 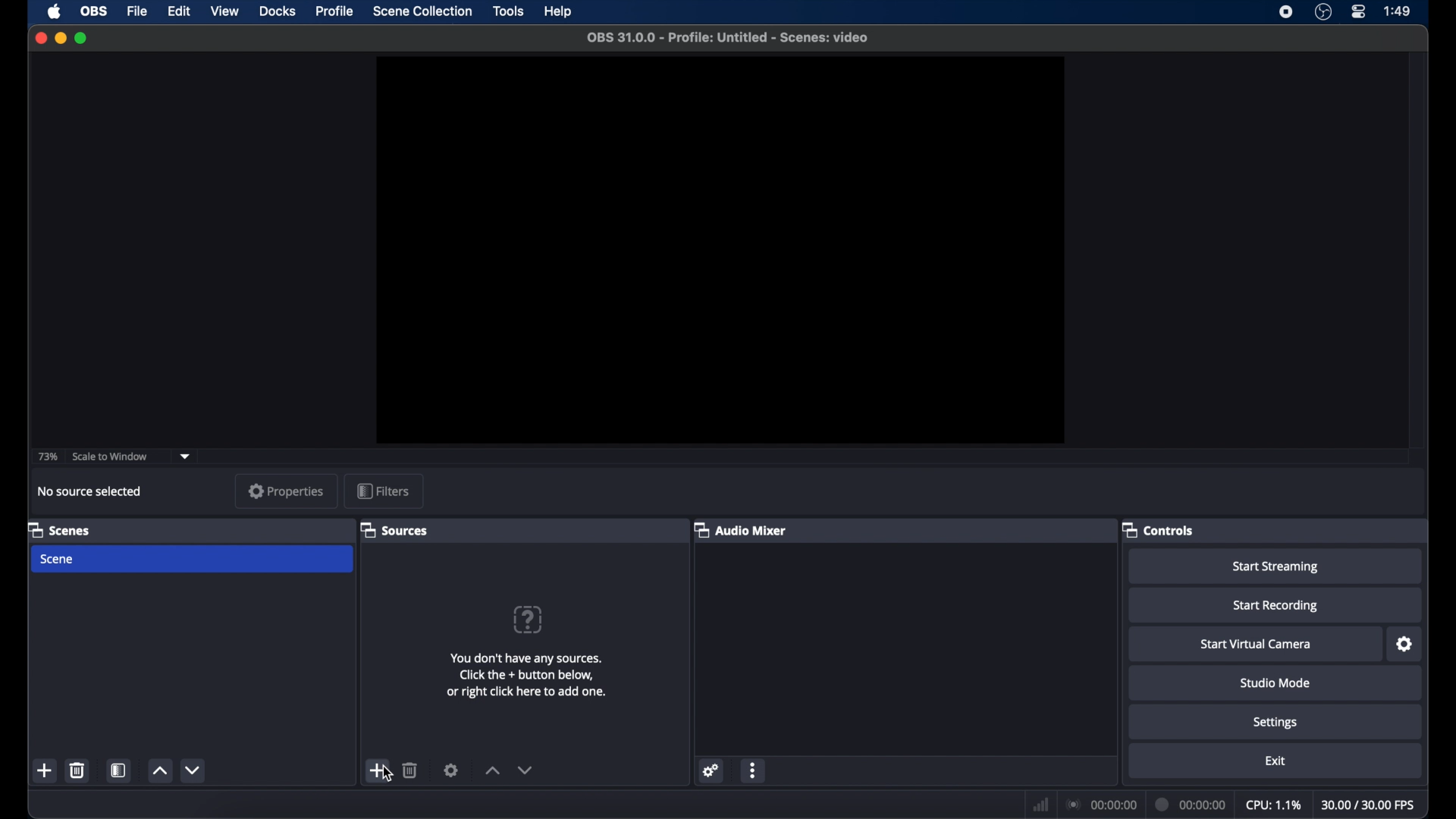 I want to click on controls, so click(x=1156, y=530).